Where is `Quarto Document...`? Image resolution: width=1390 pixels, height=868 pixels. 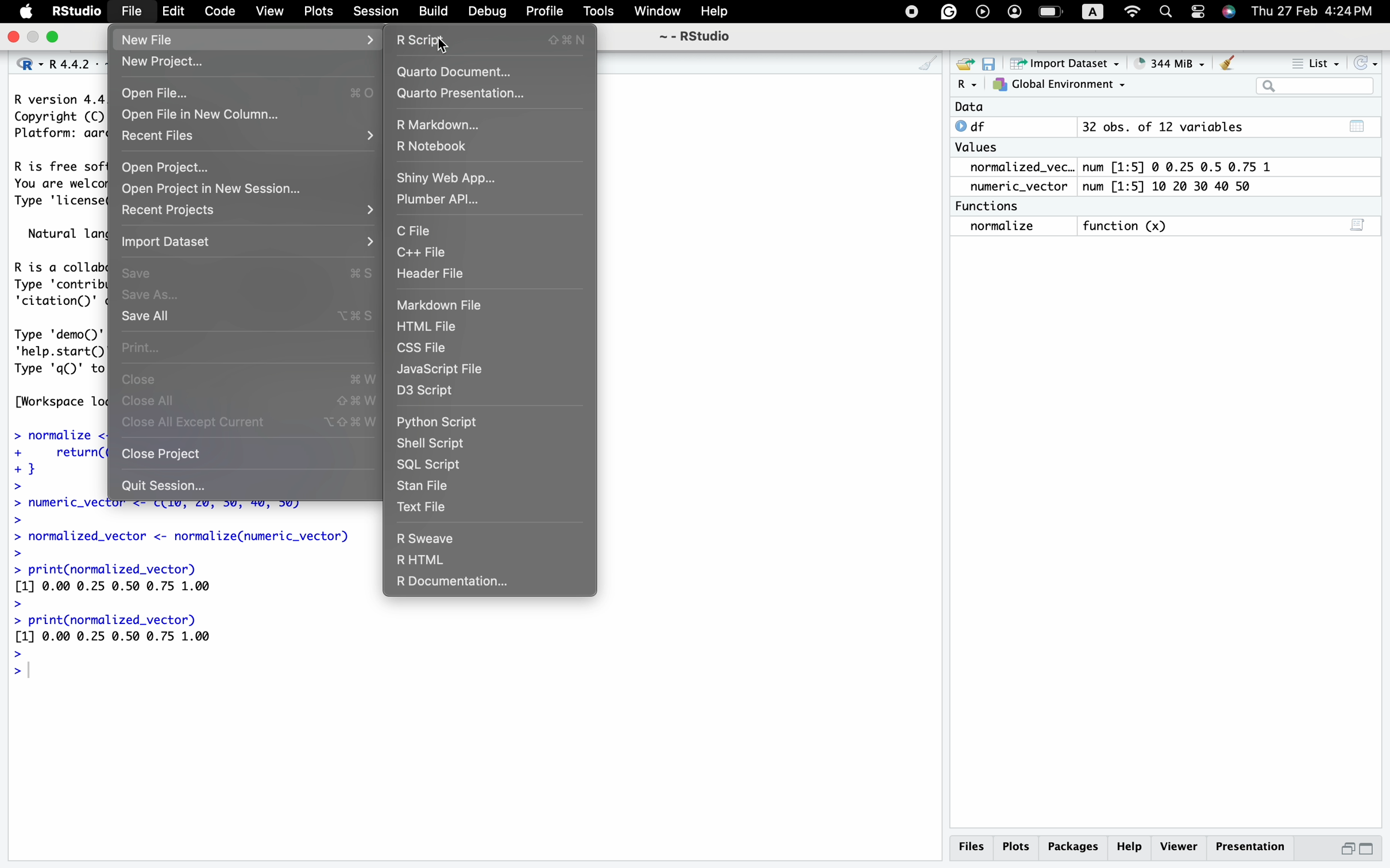 Quarto Document... is located at coordinates (457, 75).